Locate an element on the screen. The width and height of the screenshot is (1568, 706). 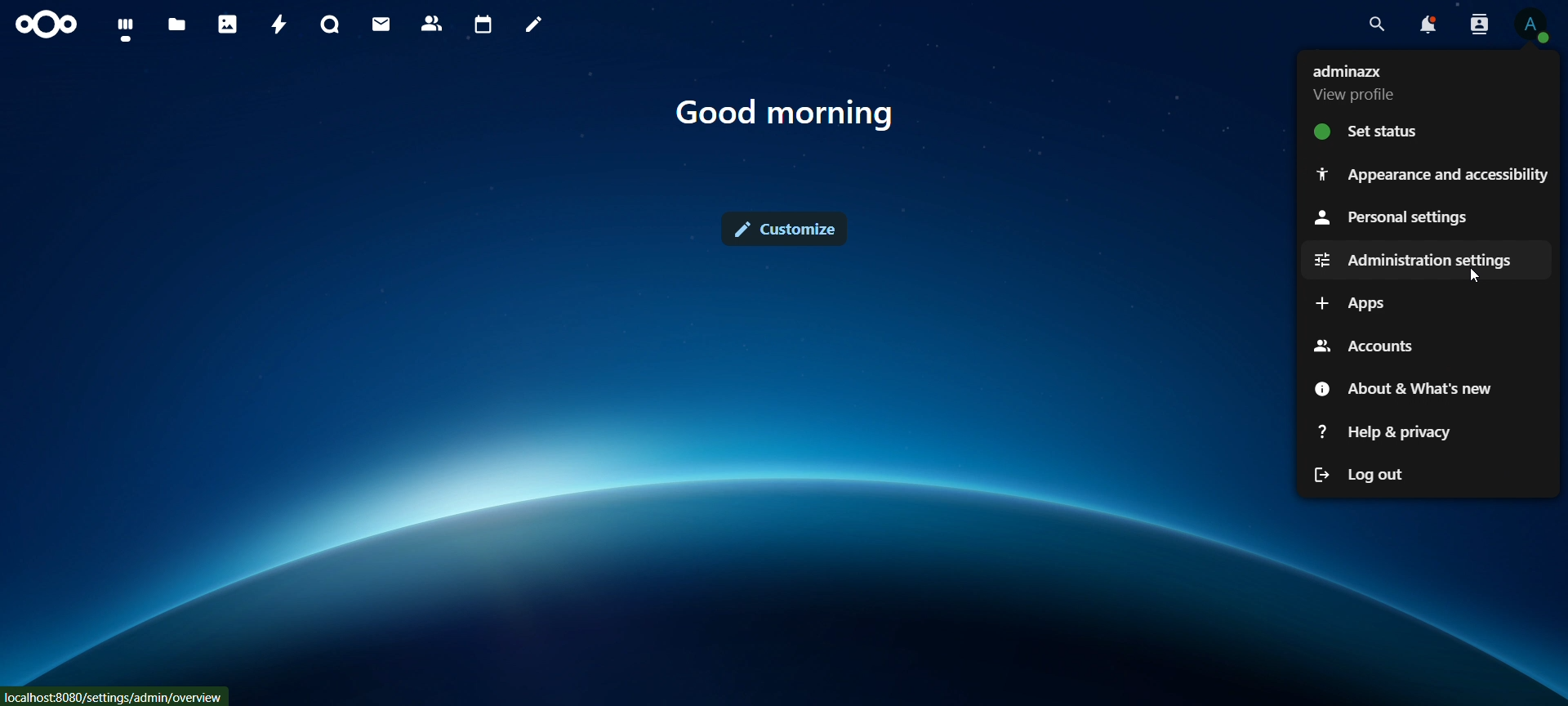
search contacts is located at coordinates (1483, 25).